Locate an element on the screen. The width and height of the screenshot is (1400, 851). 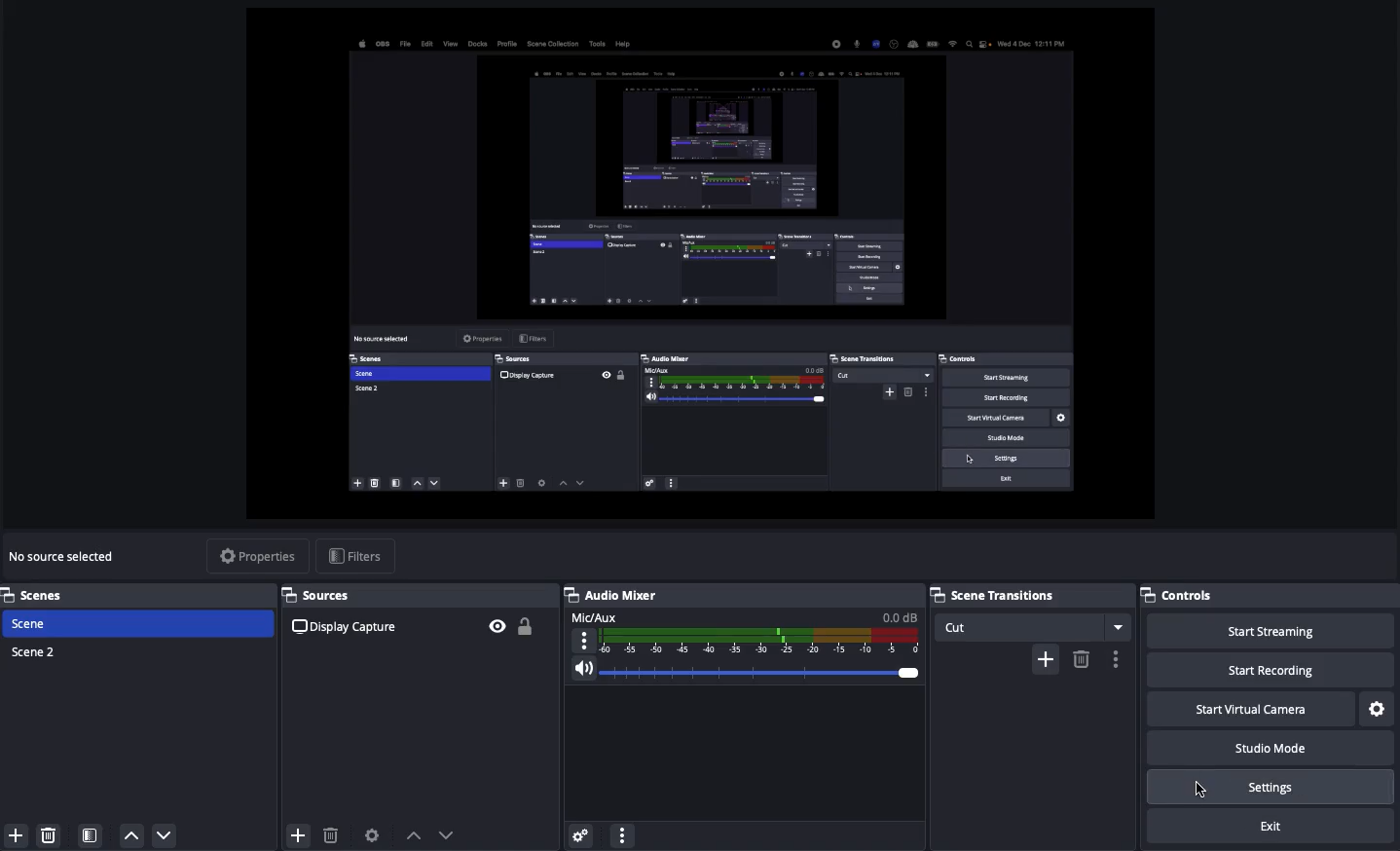
Advanced audio menu is located at coordinates (580, 833).